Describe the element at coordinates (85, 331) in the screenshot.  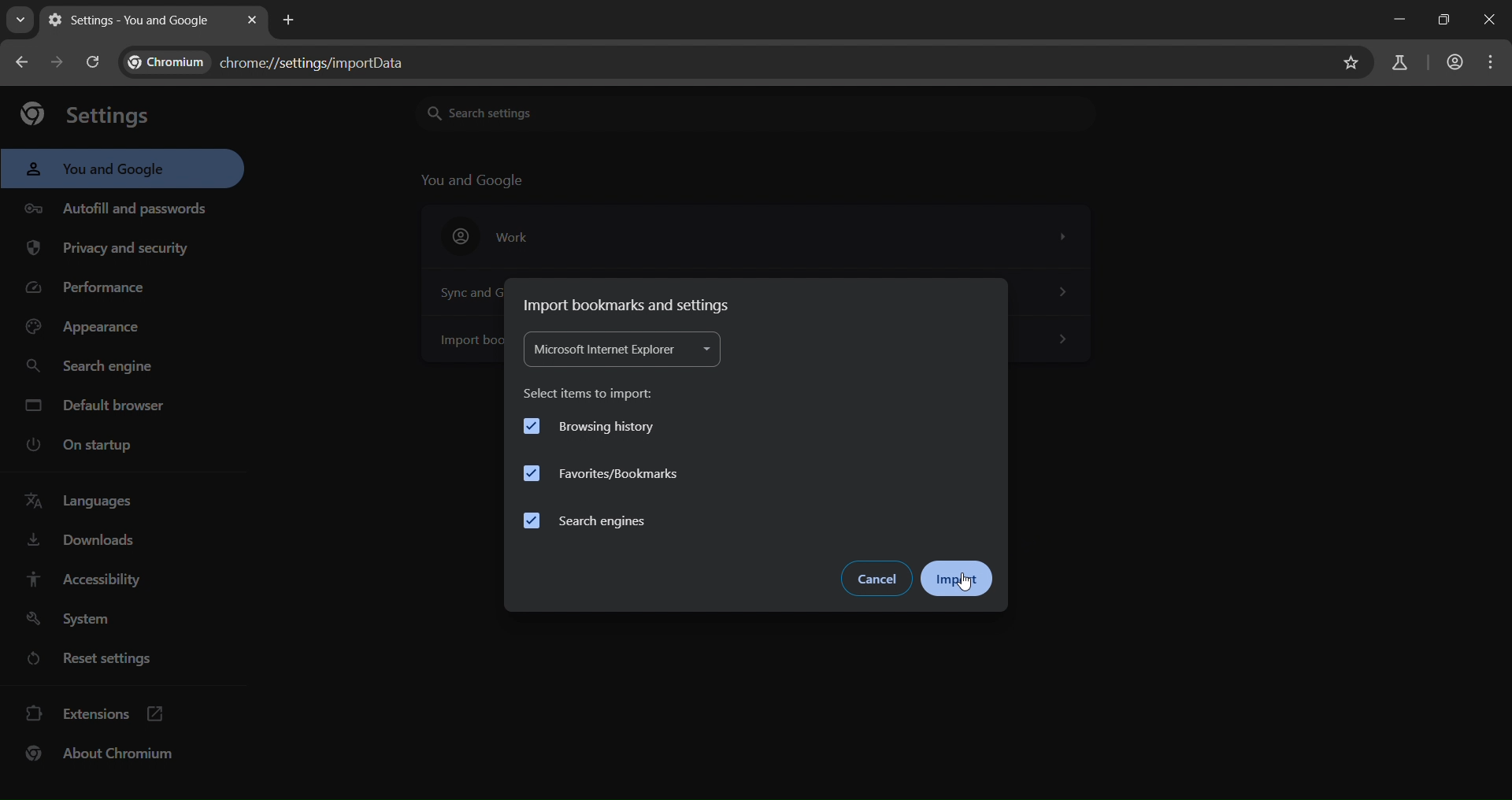
I see `ppearance` at that location.